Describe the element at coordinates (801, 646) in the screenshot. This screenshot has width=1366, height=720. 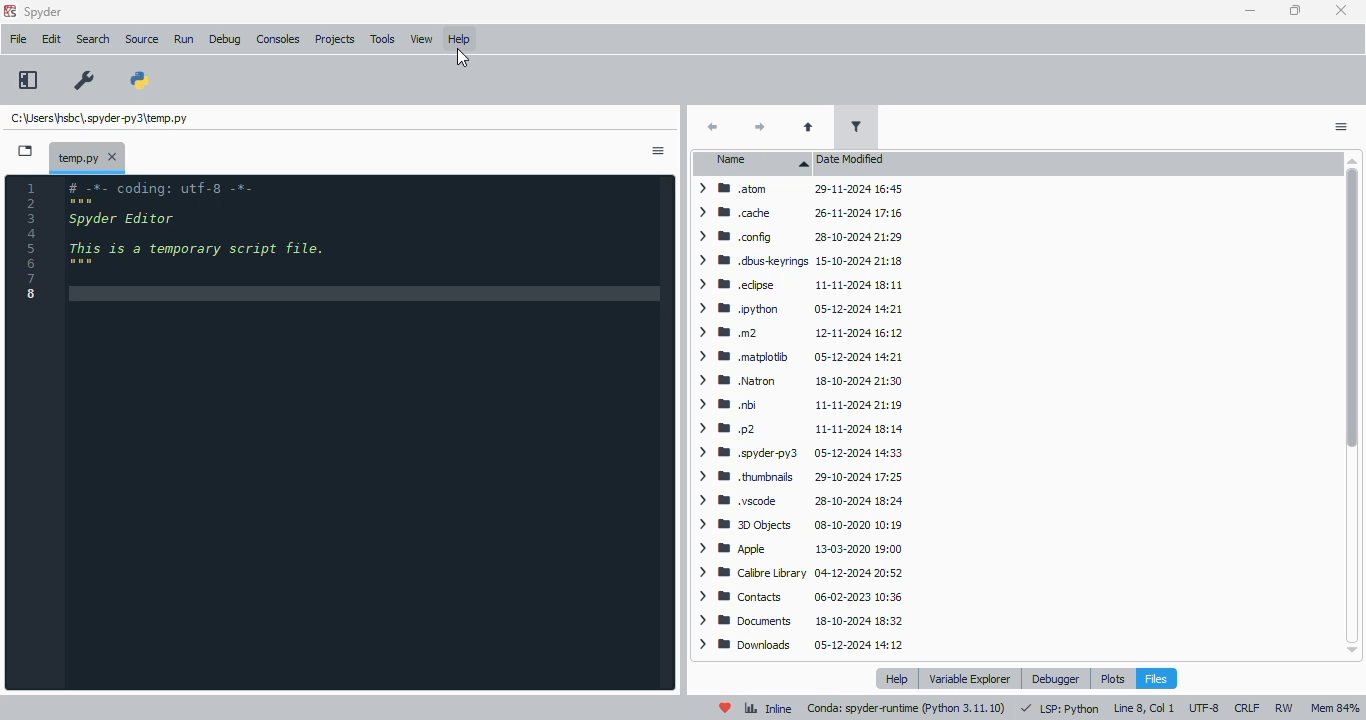
I see `> WB Downloads 05-12-2024 14:12.` at that location.